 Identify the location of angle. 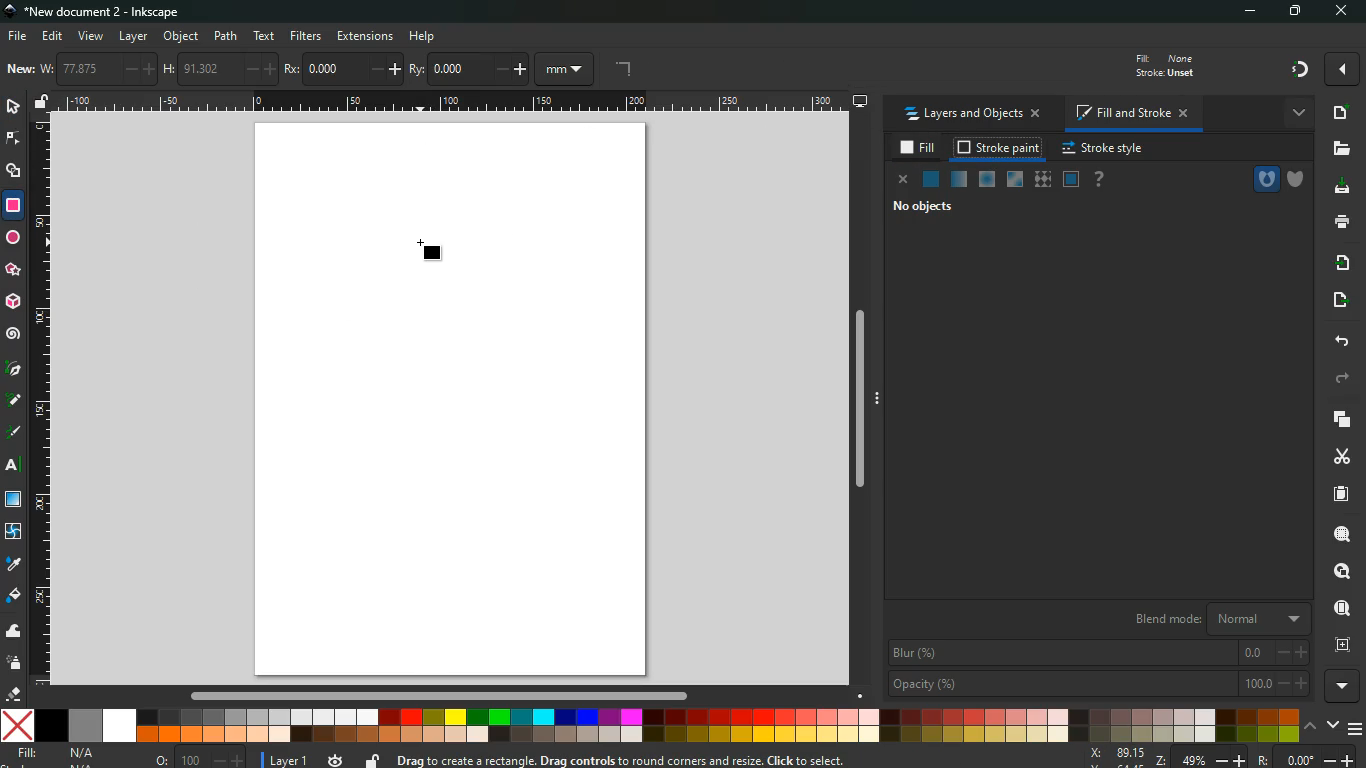
(636, 70).